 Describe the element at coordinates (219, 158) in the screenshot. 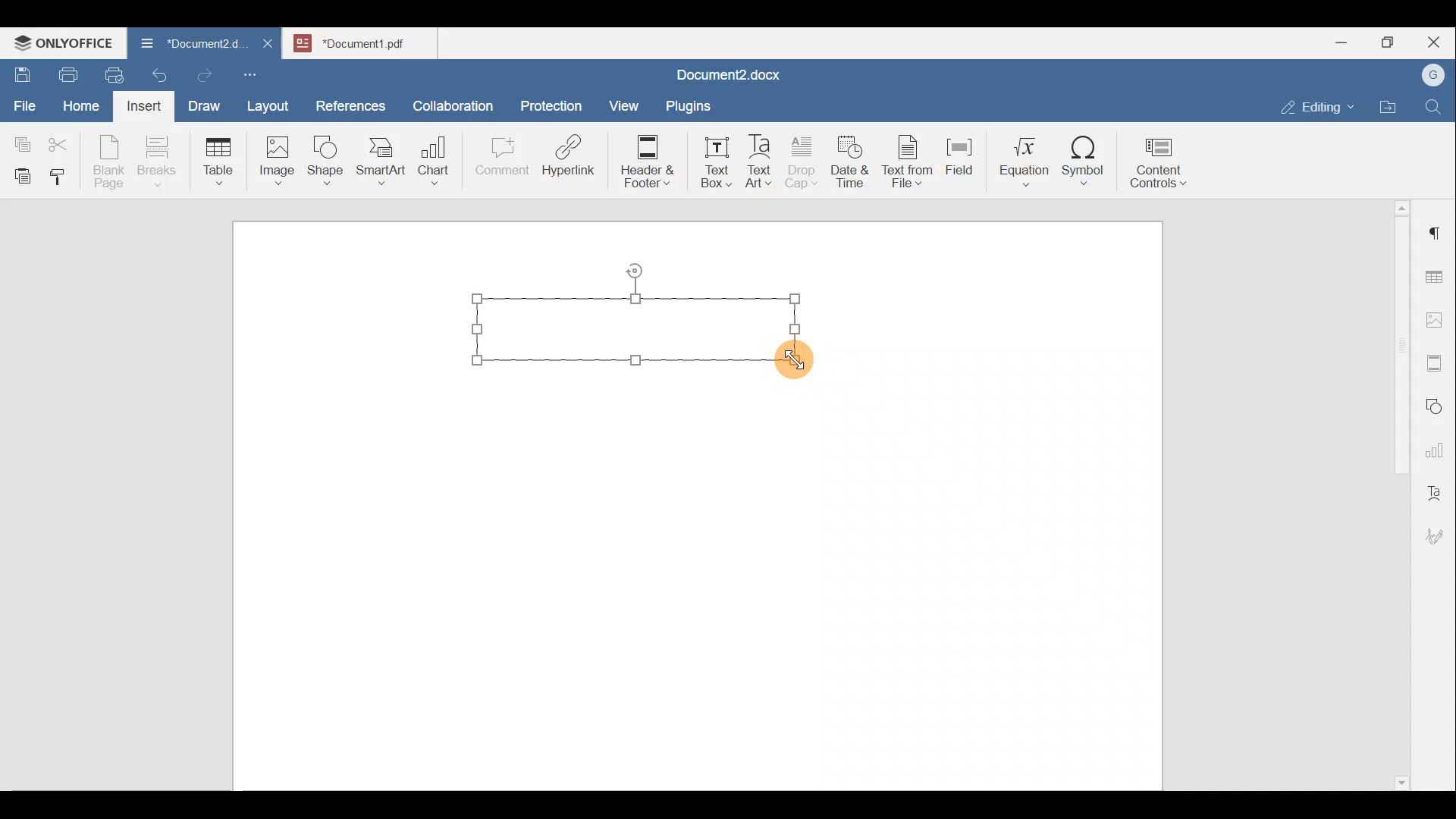

I see `Table` at that location.